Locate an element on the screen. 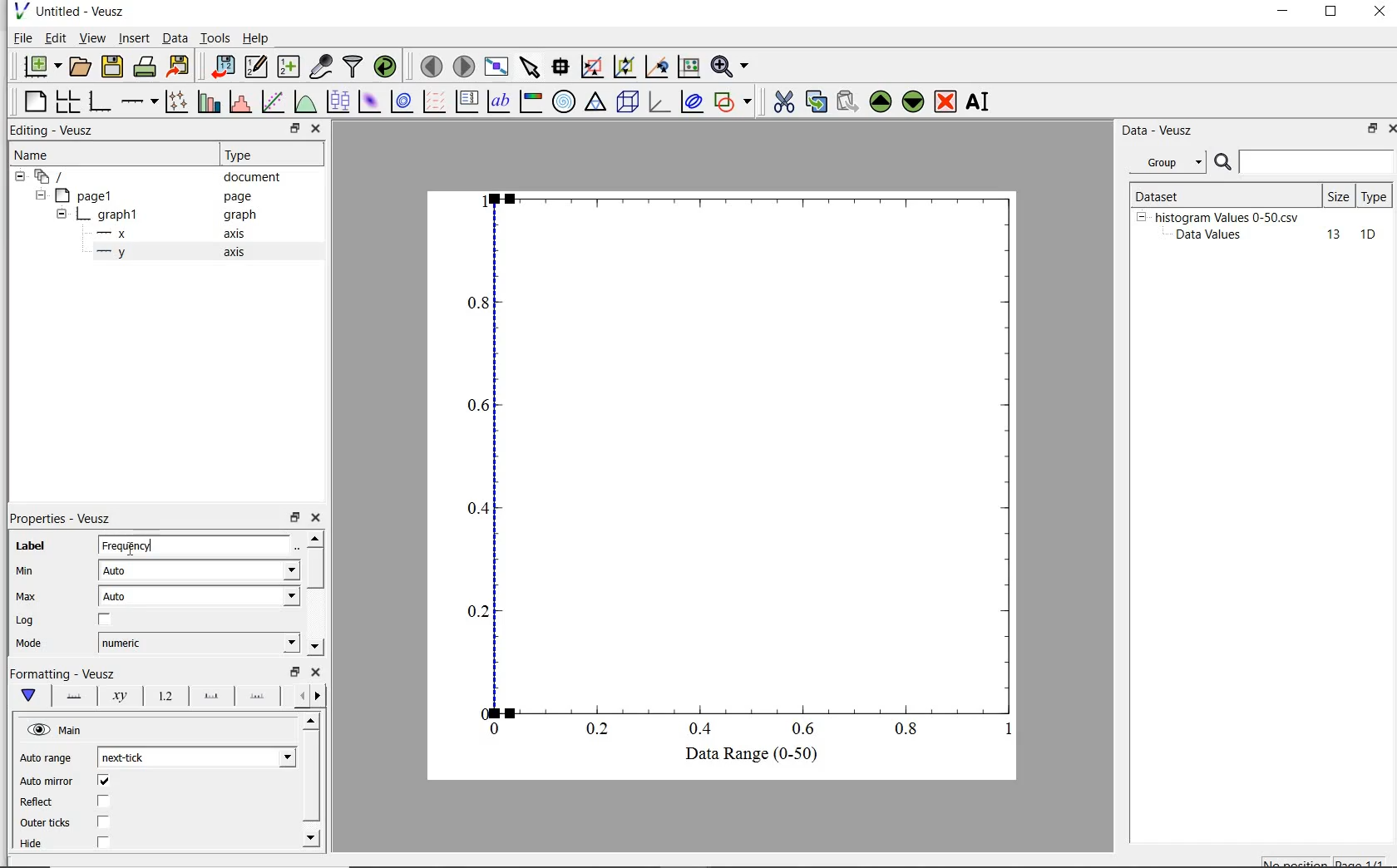  histogram Values 0-50.csv is located at coordinates (1227, 216).